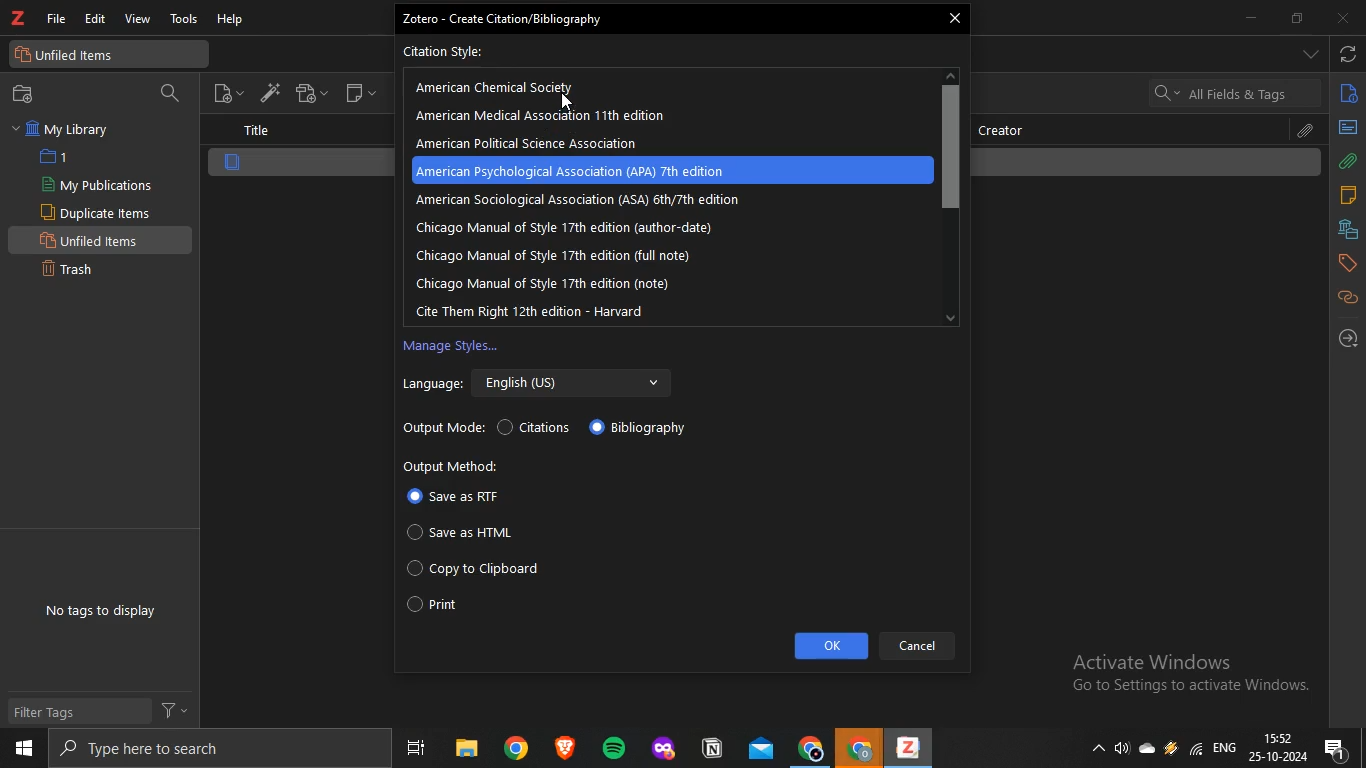  Describe the element at coordinates (58, 157) in the screenshot. I see `1` at that location.